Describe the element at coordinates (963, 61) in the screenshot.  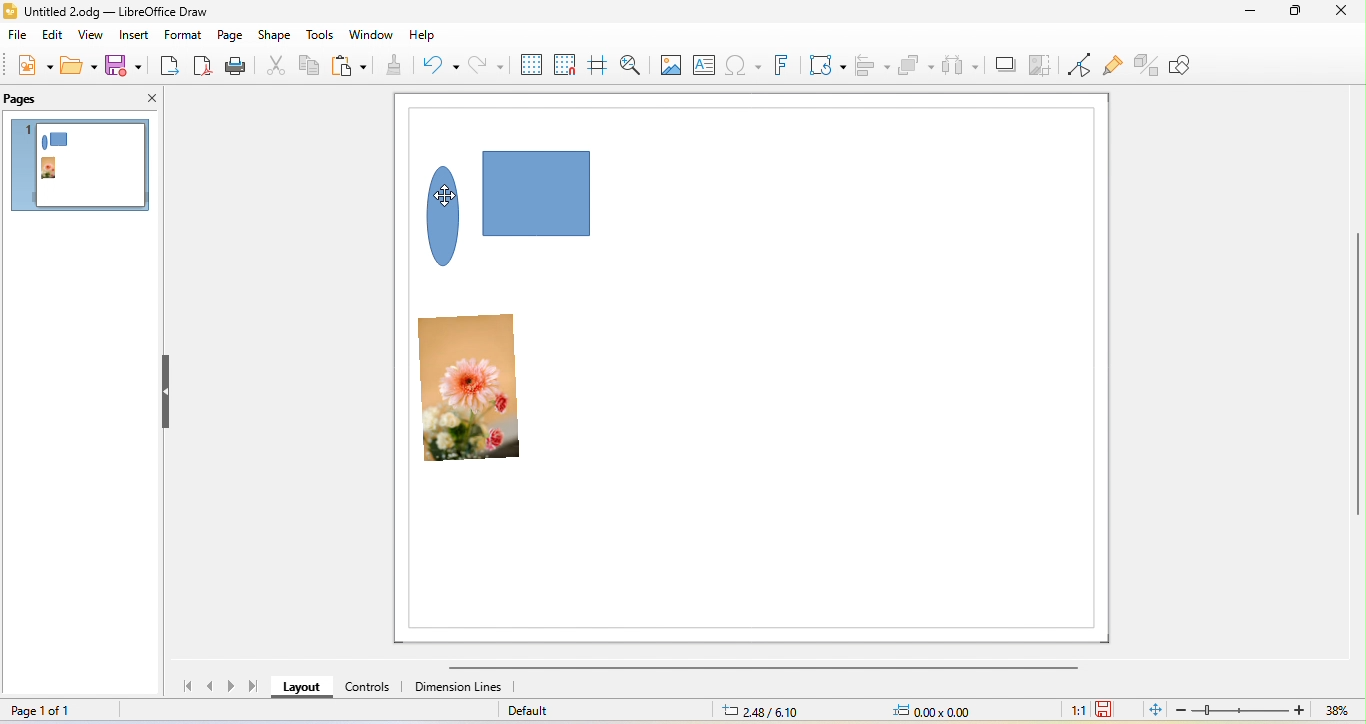
I see `select at least three object to distribute` at that location.